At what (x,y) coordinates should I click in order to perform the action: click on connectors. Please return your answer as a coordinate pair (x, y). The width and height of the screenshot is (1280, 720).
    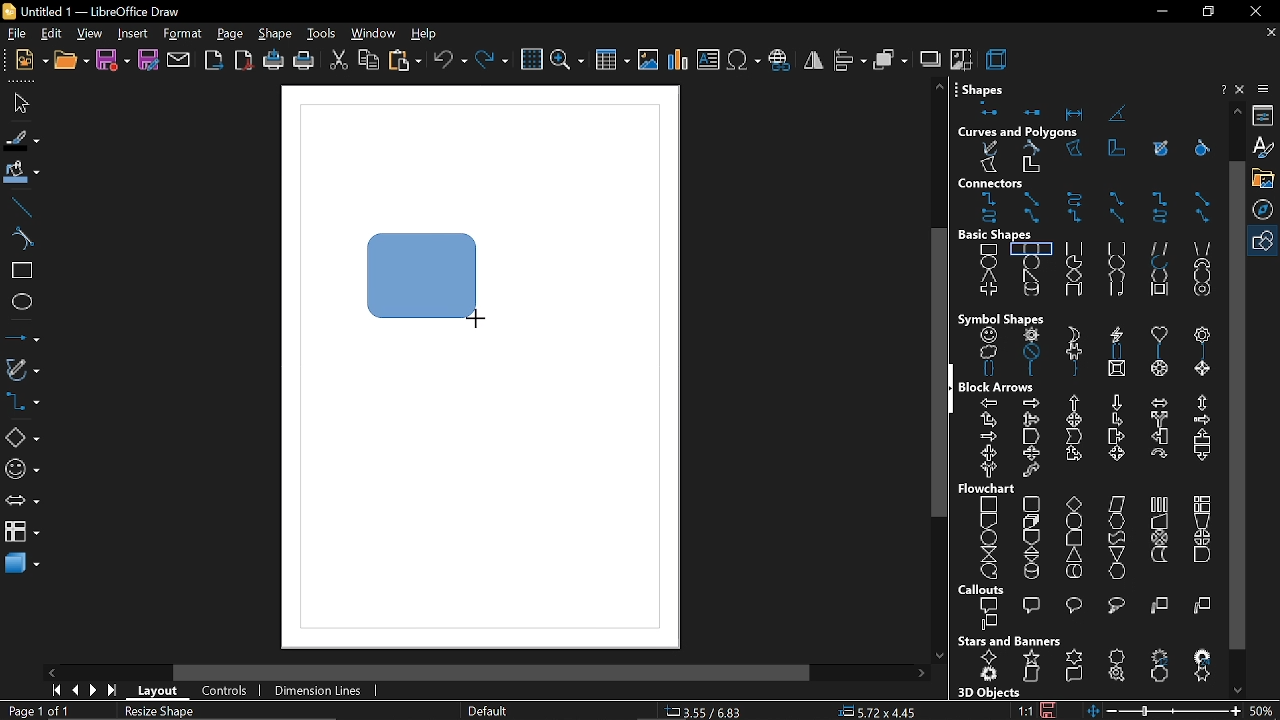
    Looking at the image, I should click on (22, 403).